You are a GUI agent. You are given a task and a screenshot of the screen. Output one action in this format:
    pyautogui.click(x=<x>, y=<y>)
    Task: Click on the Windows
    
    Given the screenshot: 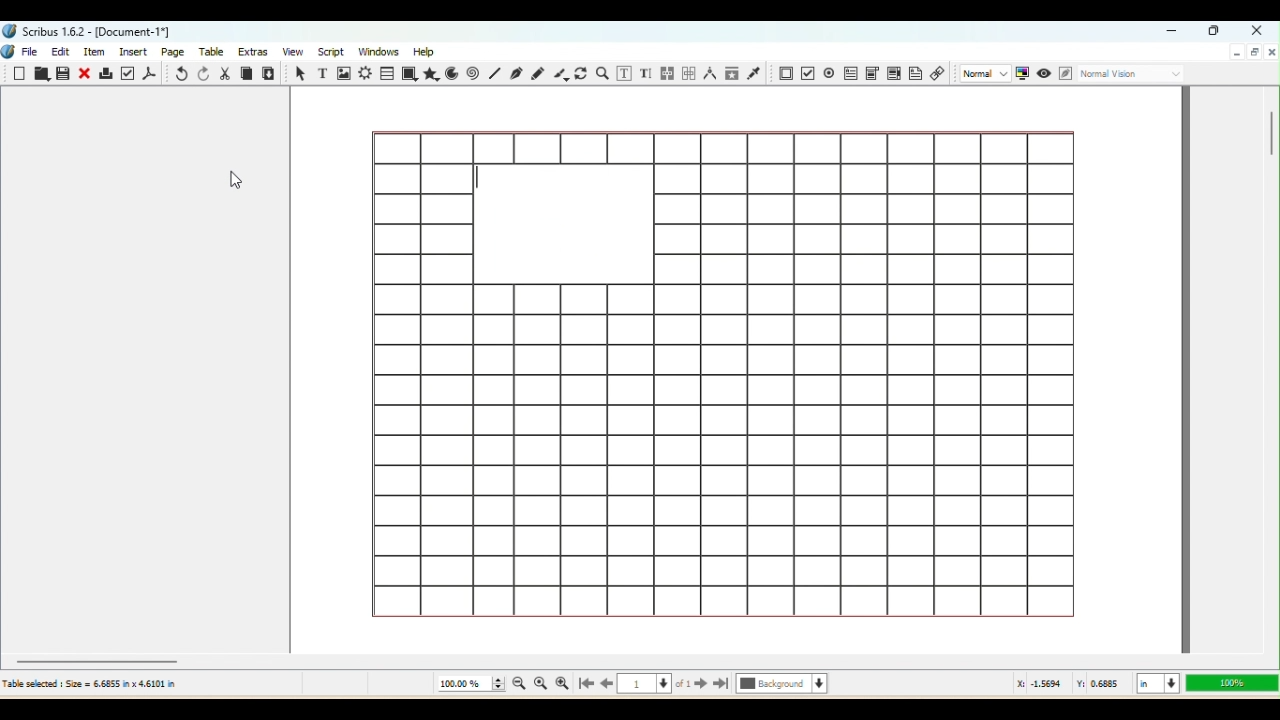 What is the action you would take?
    pyautogui.click(x=380, y=50)
    